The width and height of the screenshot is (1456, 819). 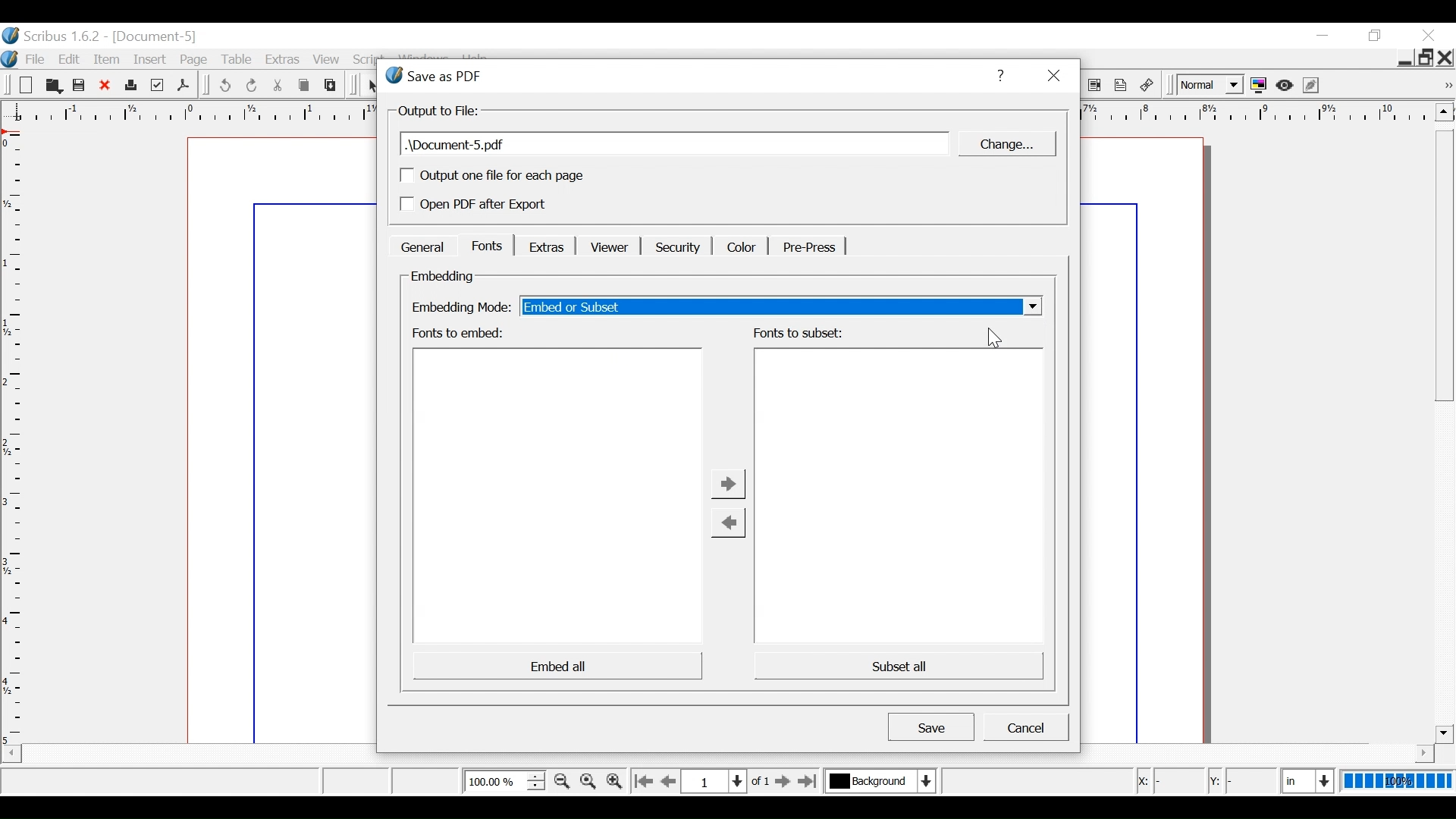 What do you see at coordinates (34, 60) in the screenshot?
I see `File` at bounding box center [34, 60].